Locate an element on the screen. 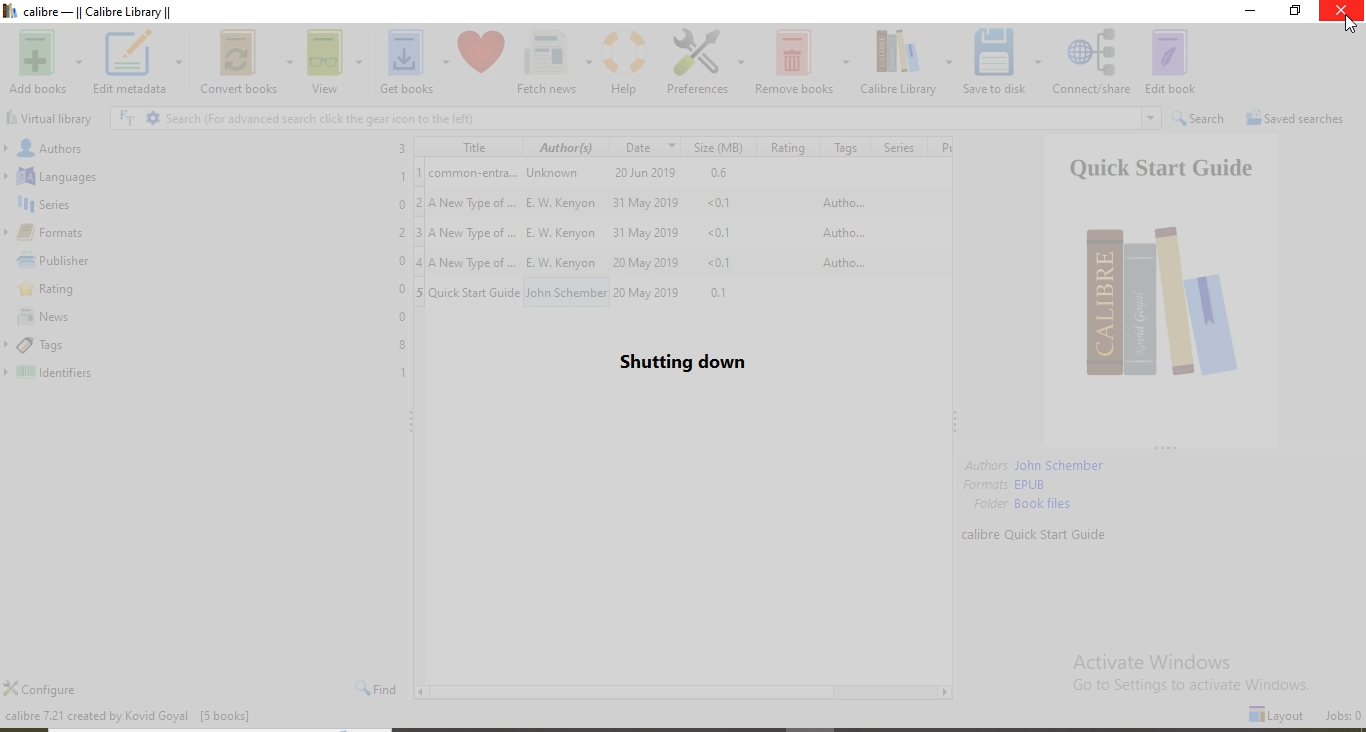 This screenshot has width=1366, height=732. 31 May 2019 is located at coordinates (647, 231).